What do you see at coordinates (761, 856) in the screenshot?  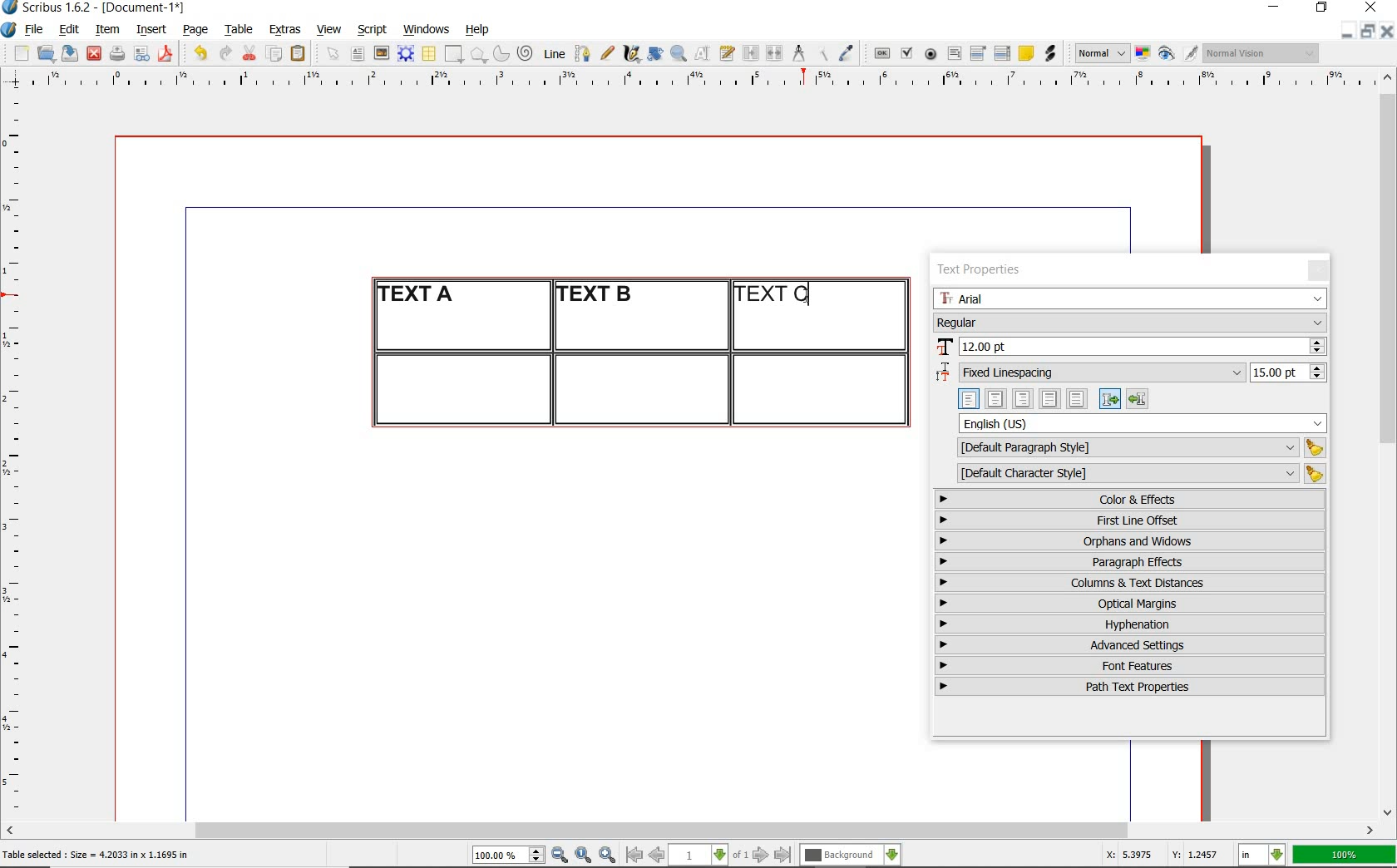 I see `go to next page` at bounding box center [761, 856].